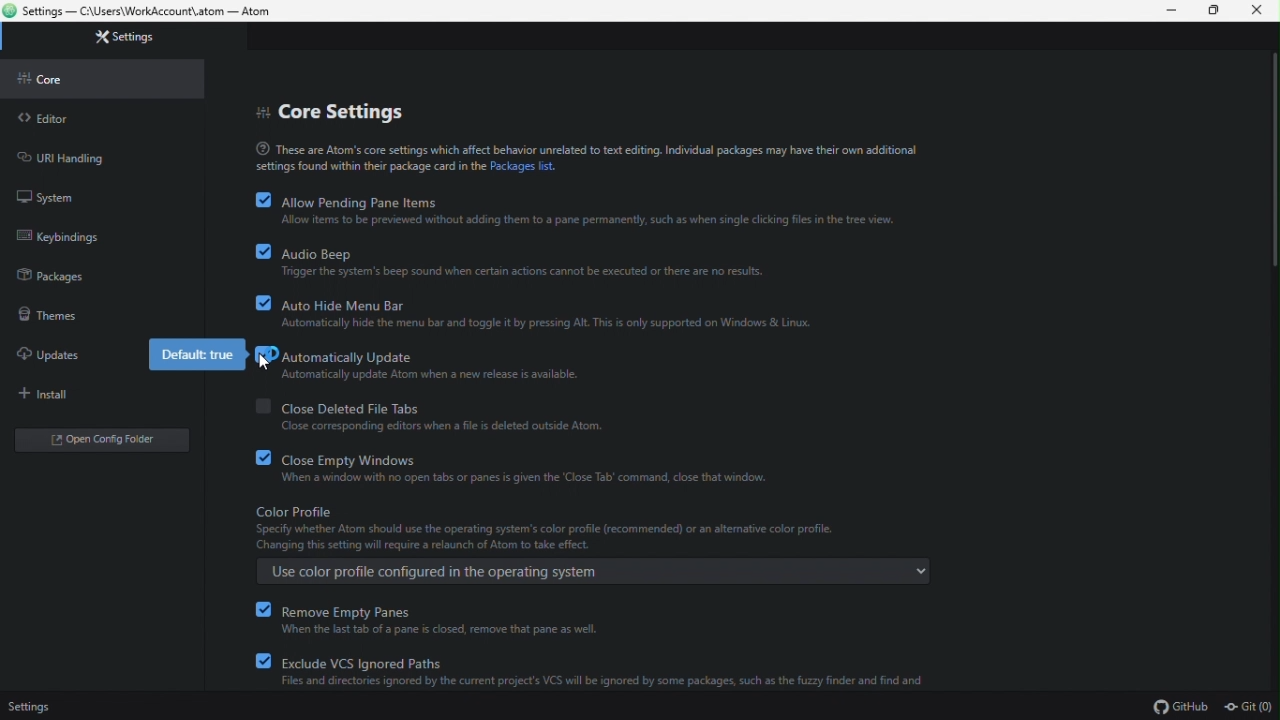 This screenshot has width=1280, height=720. What do you see at coordinates (55, 391) in the screenshot?
I see `install` at bounding box center [55, 391].